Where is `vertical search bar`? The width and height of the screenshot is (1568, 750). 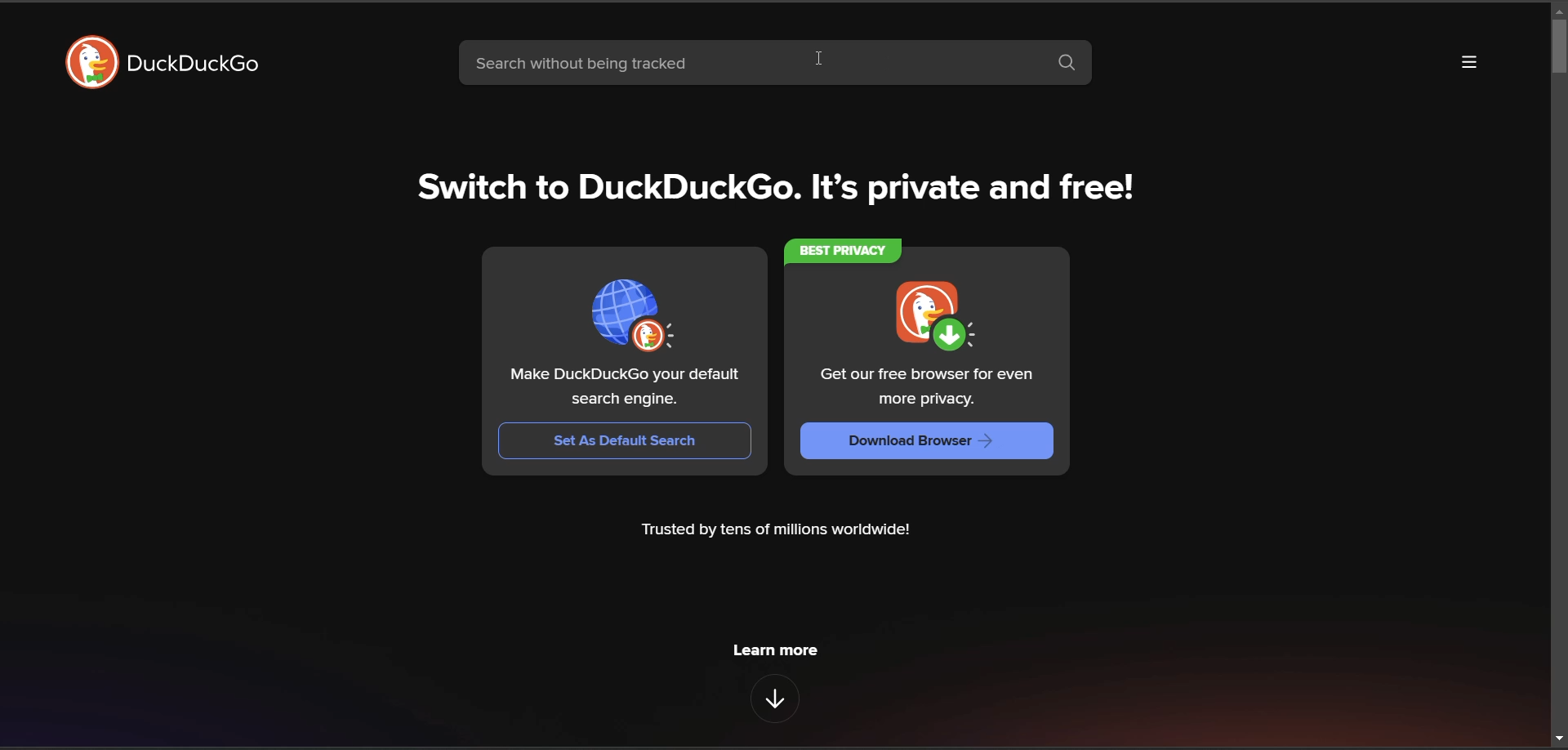 vertical search bar is located at coordinates (1558, 46).